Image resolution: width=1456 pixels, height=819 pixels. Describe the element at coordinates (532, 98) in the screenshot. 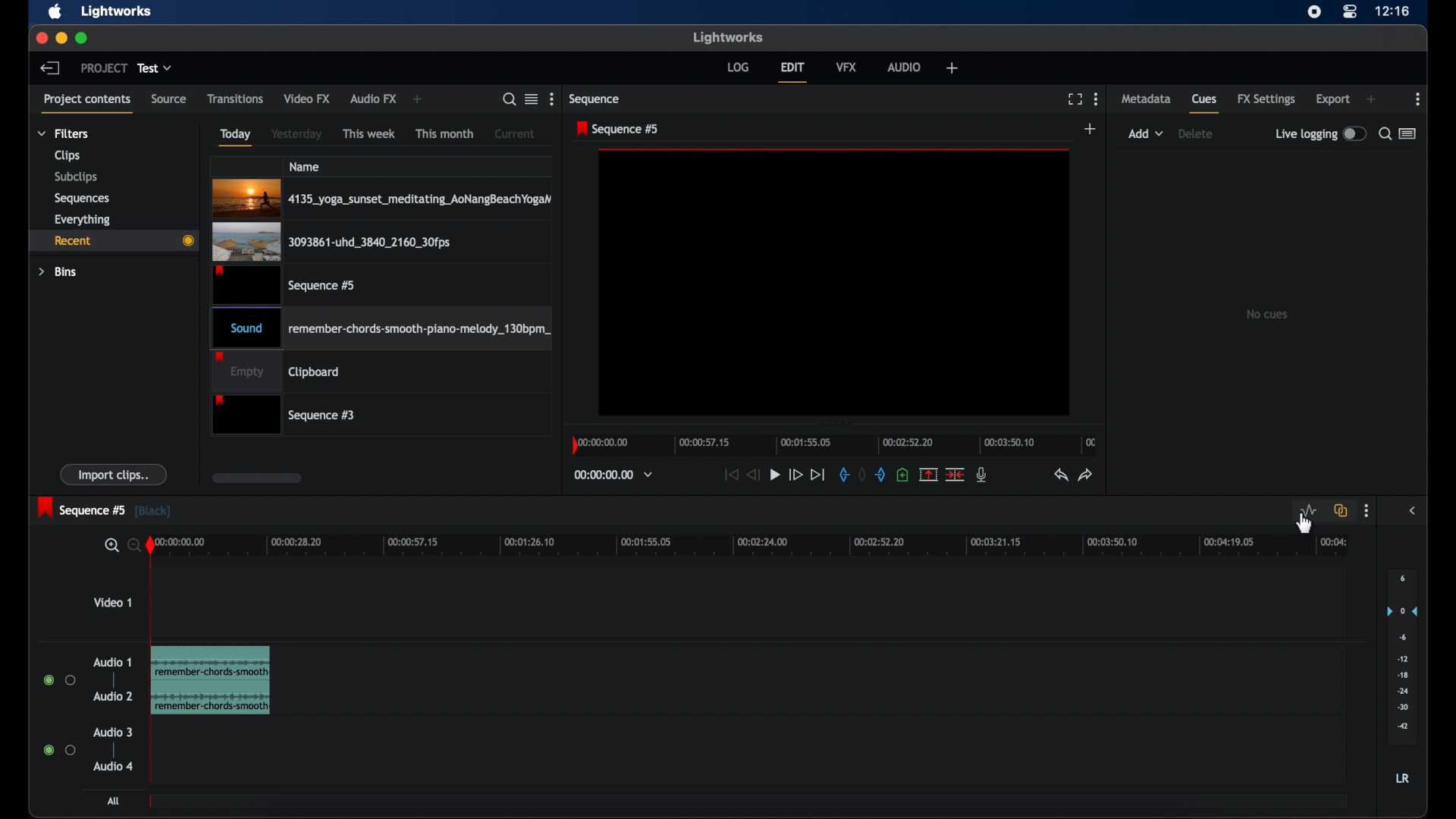

I see `toggle list or tile view` at that location.